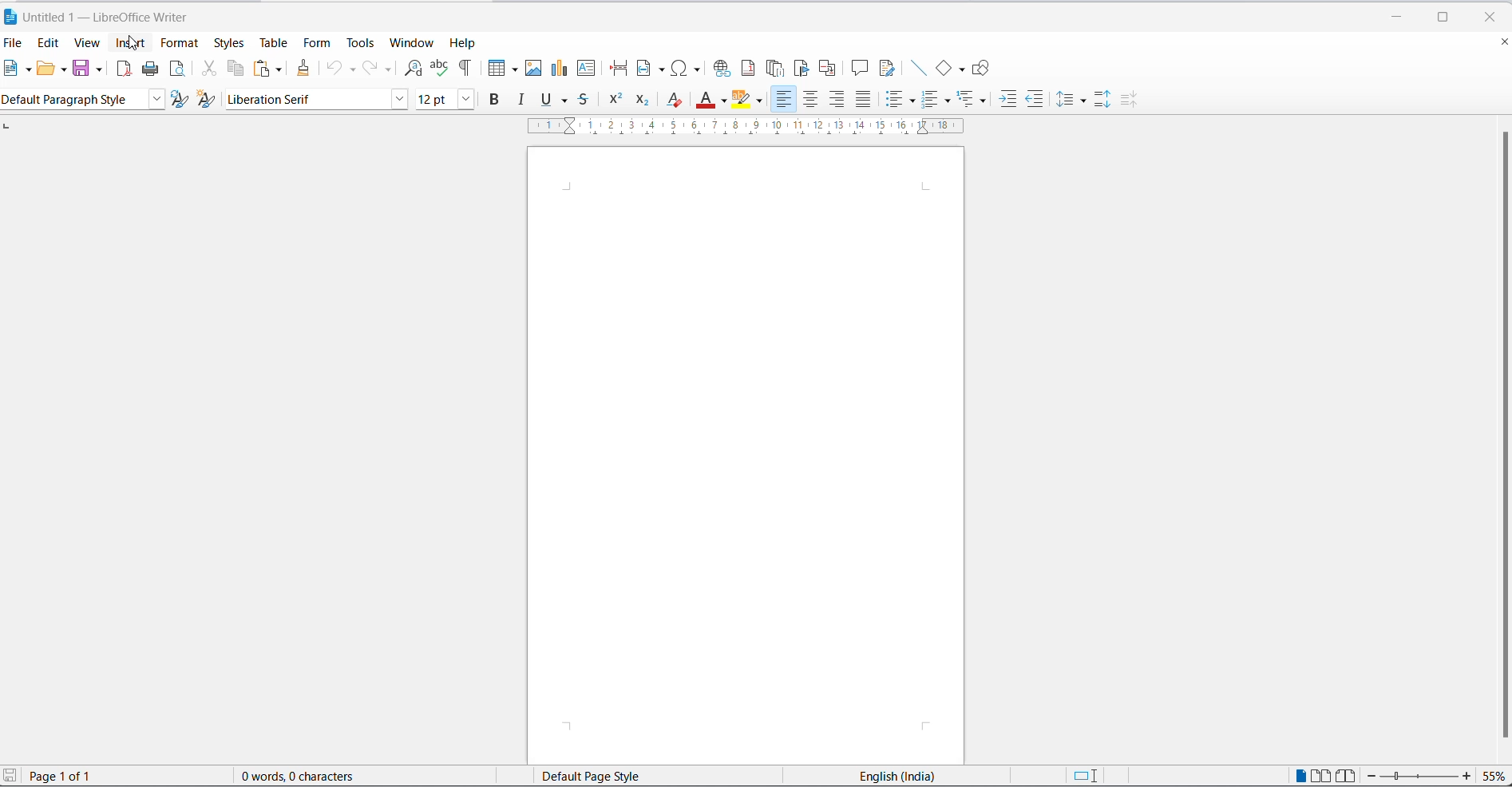  What do you see at coordinates (236, 69) in the screenshot?
I see `copy` at bounding box center [236, 69].